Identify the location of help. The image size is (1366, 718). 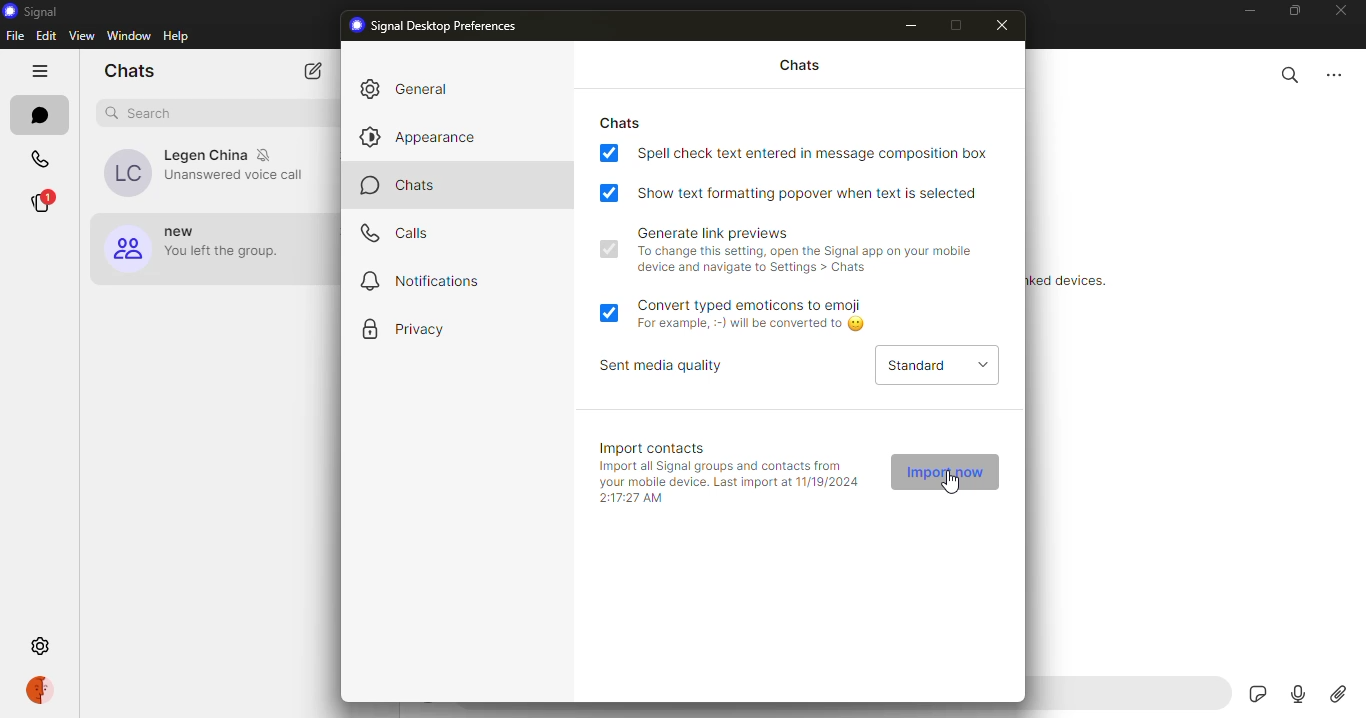
(176, 35).